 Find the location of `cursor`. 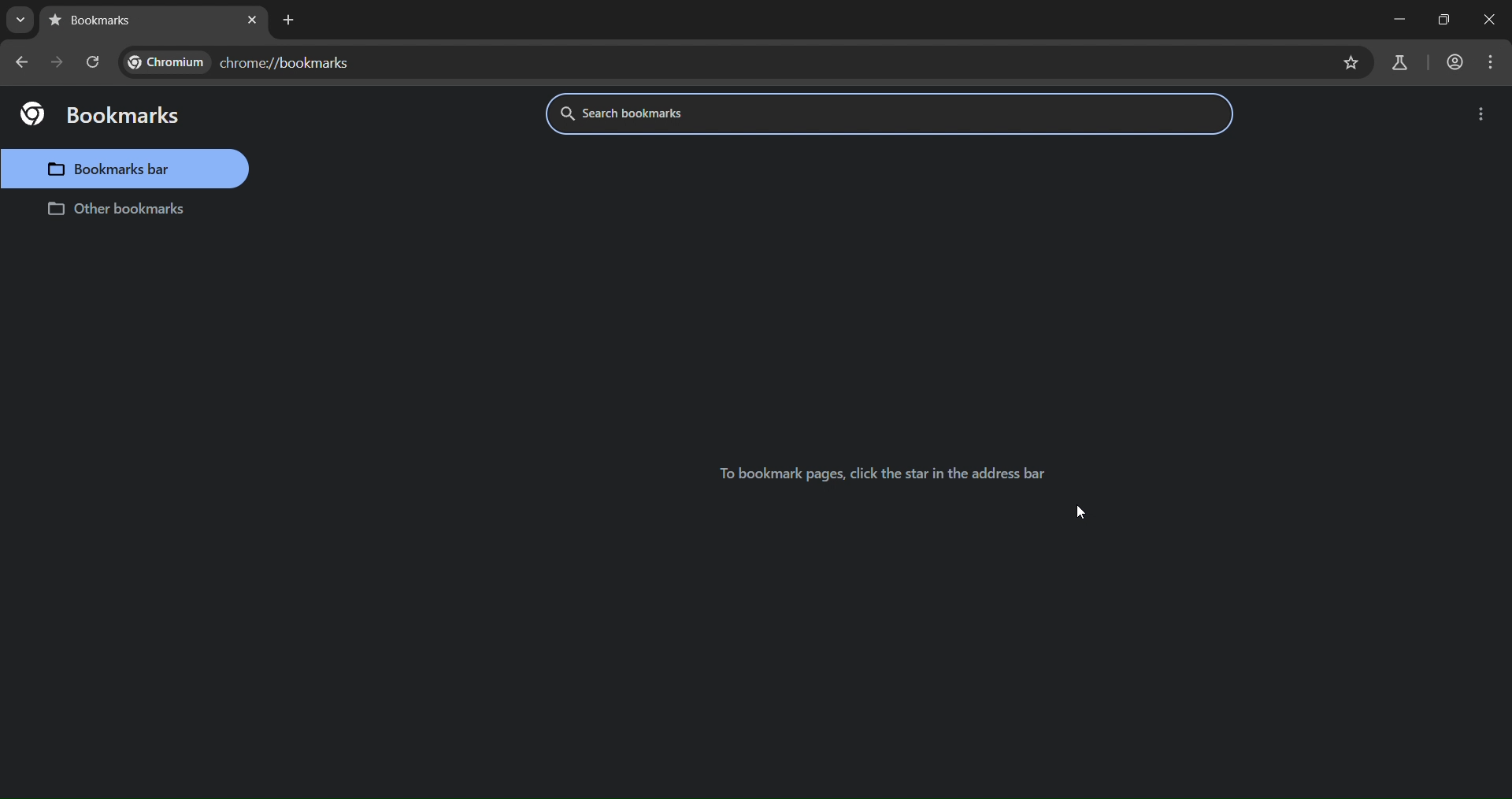

cursor is located at coordinates (1086, 513).